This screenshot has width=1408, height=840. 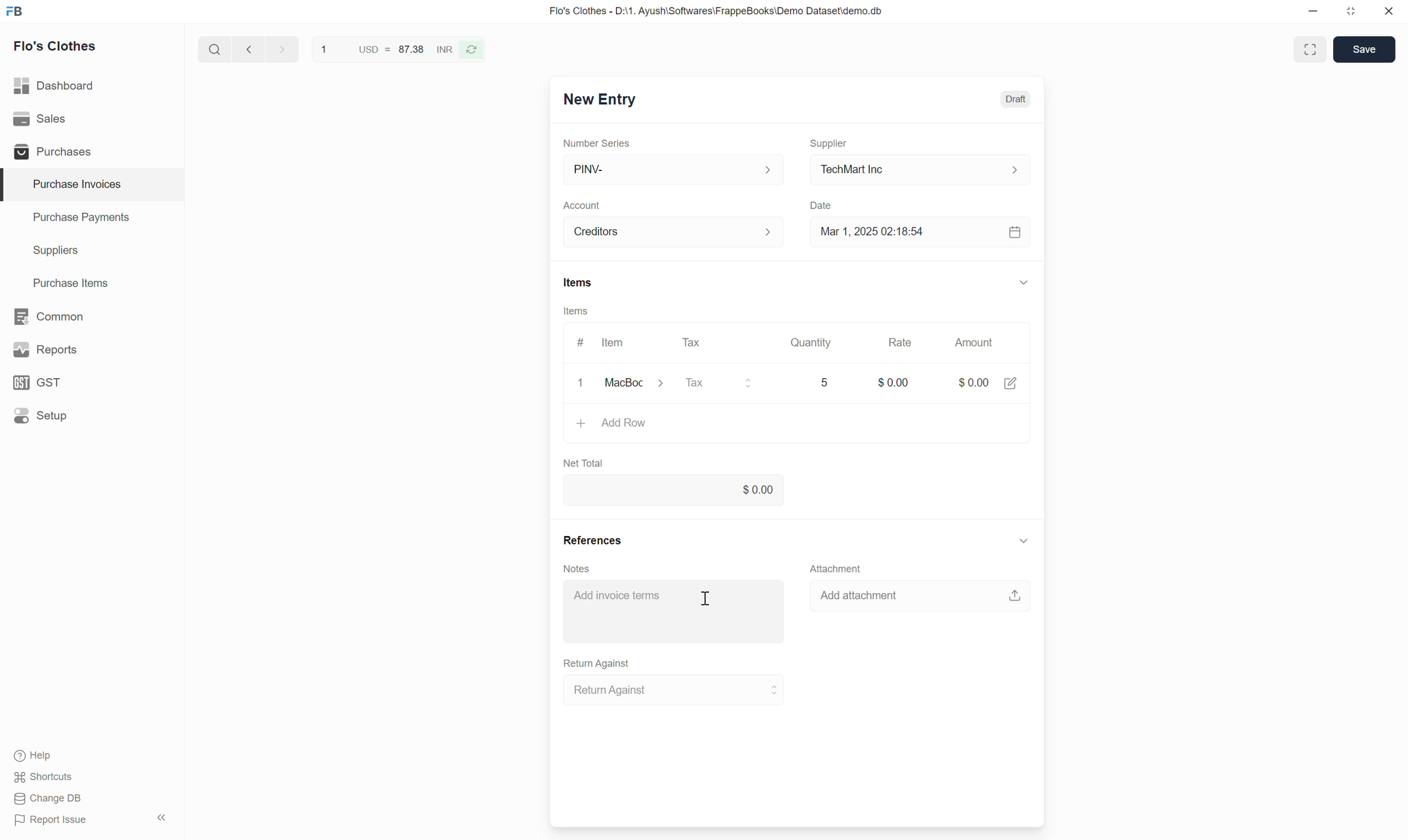 What do you see at coordinates (829, 144) in the screenshot?
I see `Supplier` at bounding box center [829, 144].